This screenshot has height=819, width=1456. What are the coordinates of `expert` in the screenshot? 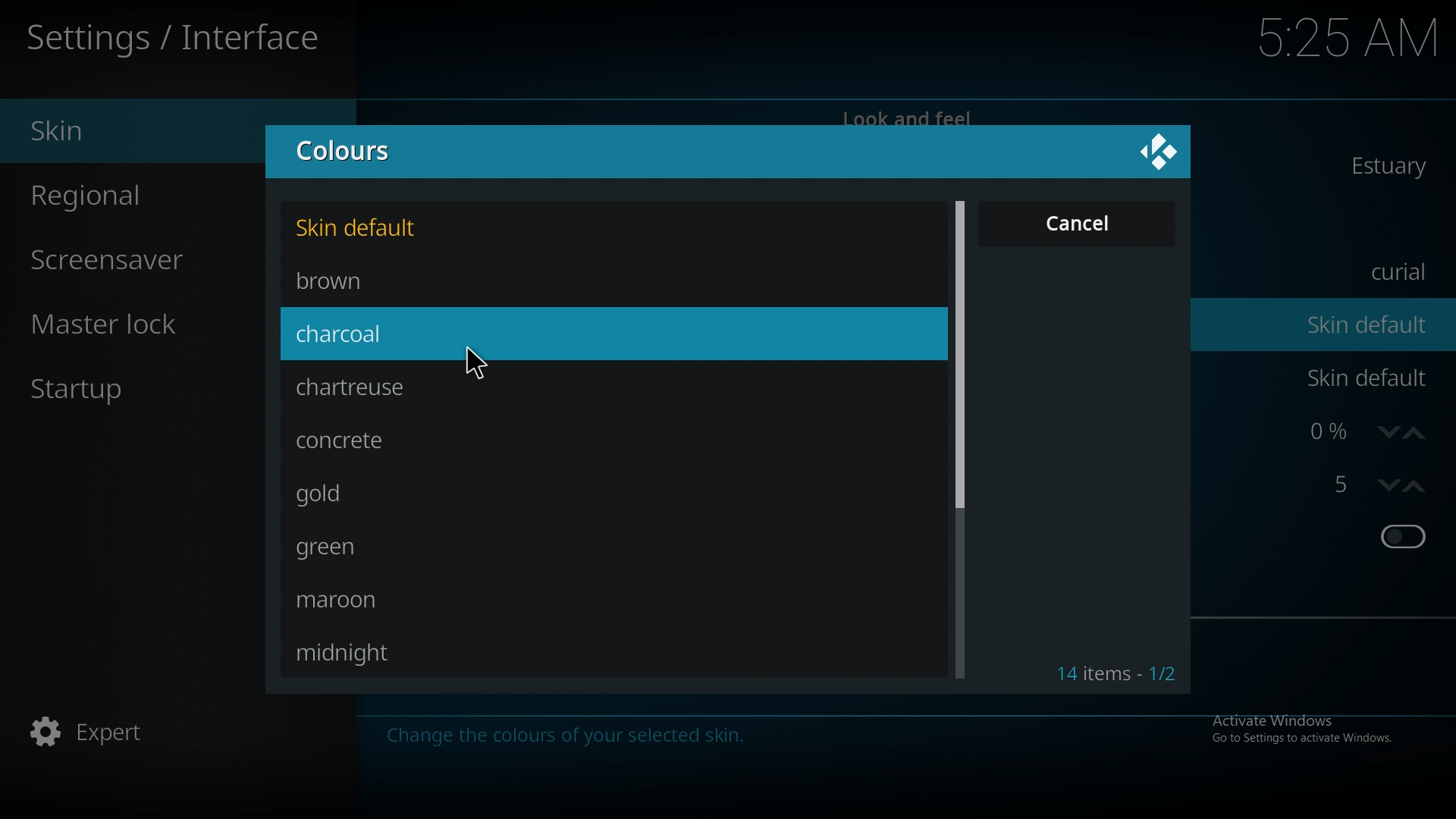 It's located at (121, 733).